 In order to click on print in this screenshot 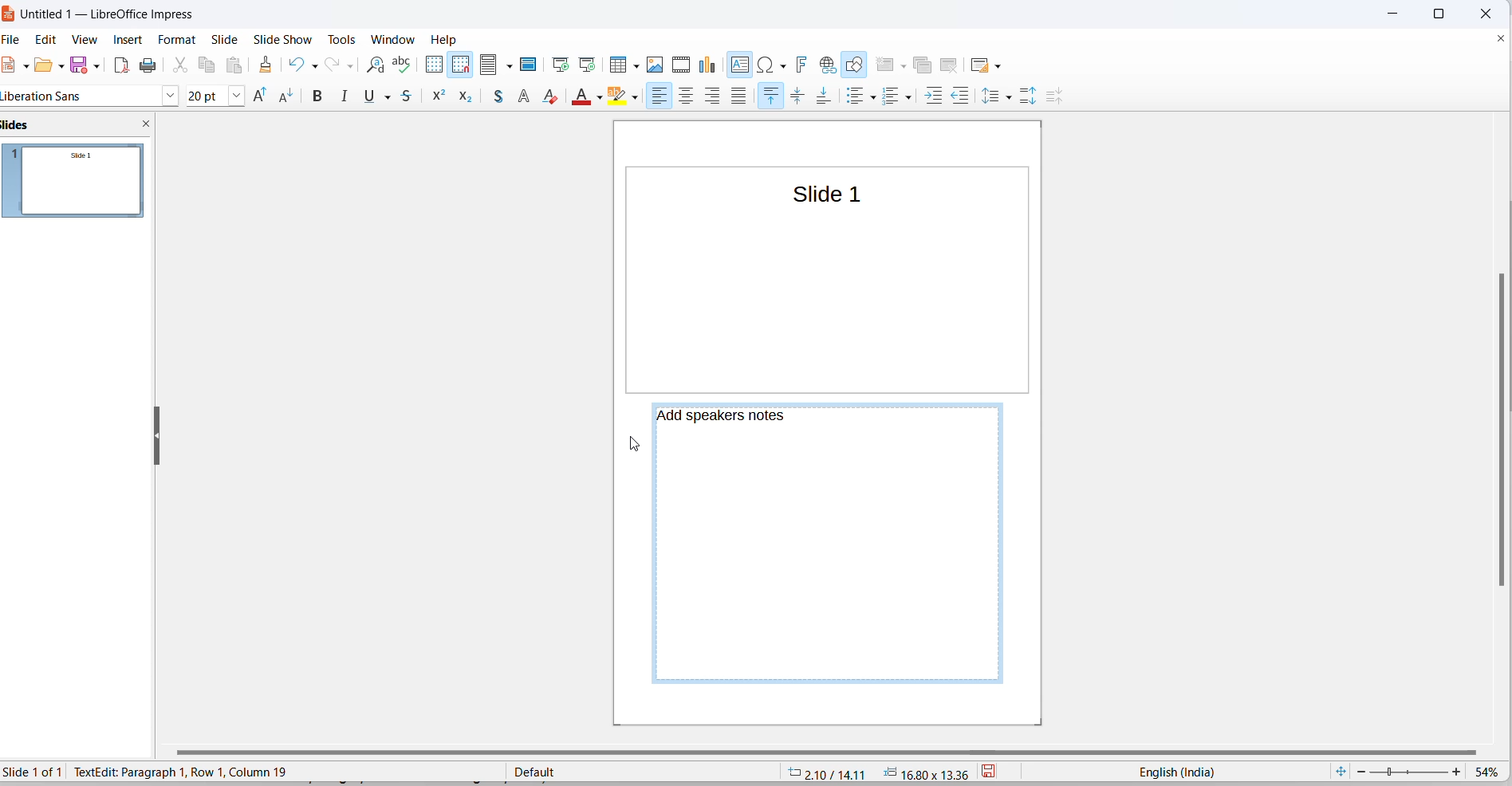, I will do `click(149, 67)`.